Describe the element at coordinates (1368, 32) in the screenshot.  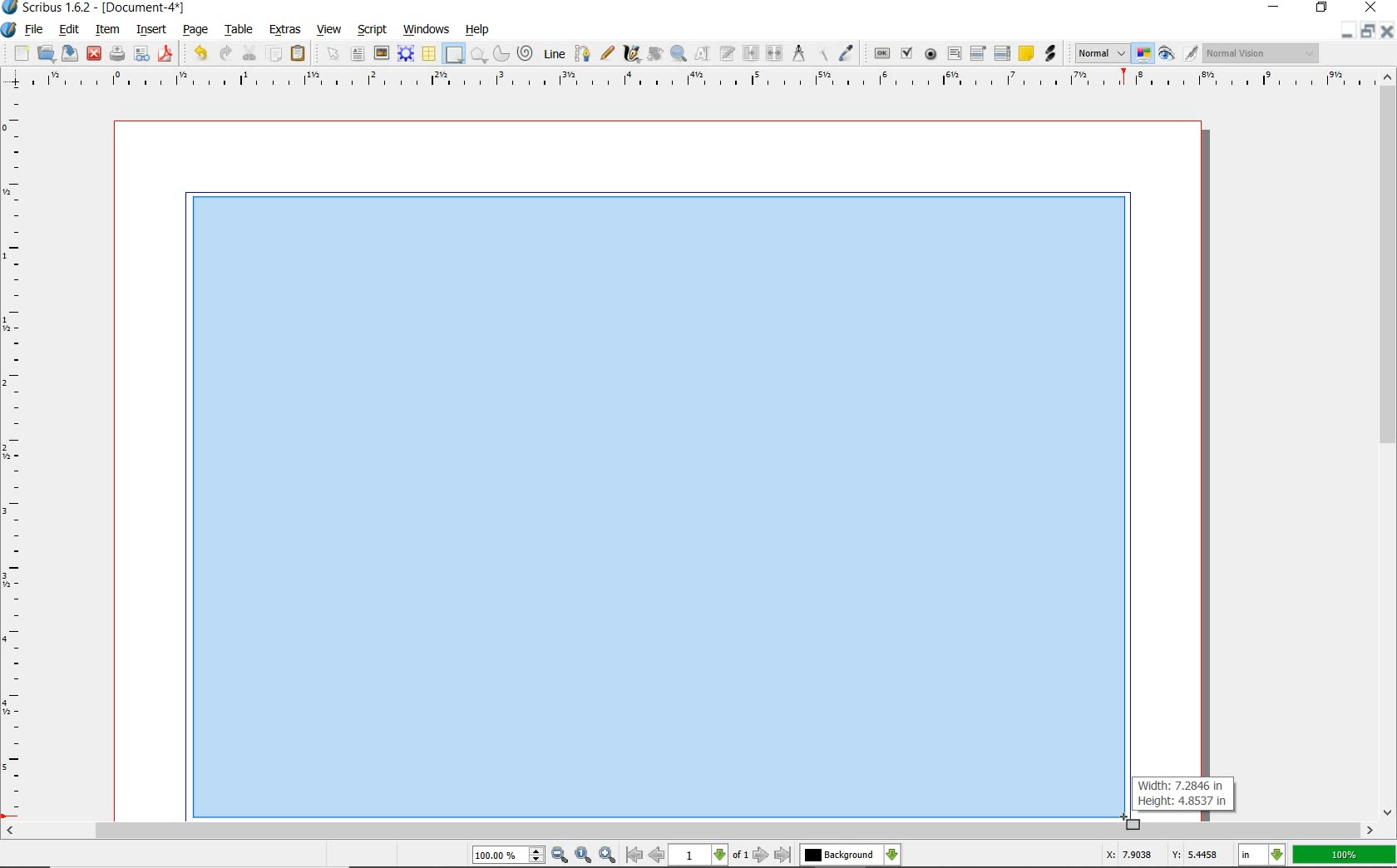
I see `restore` at that location.